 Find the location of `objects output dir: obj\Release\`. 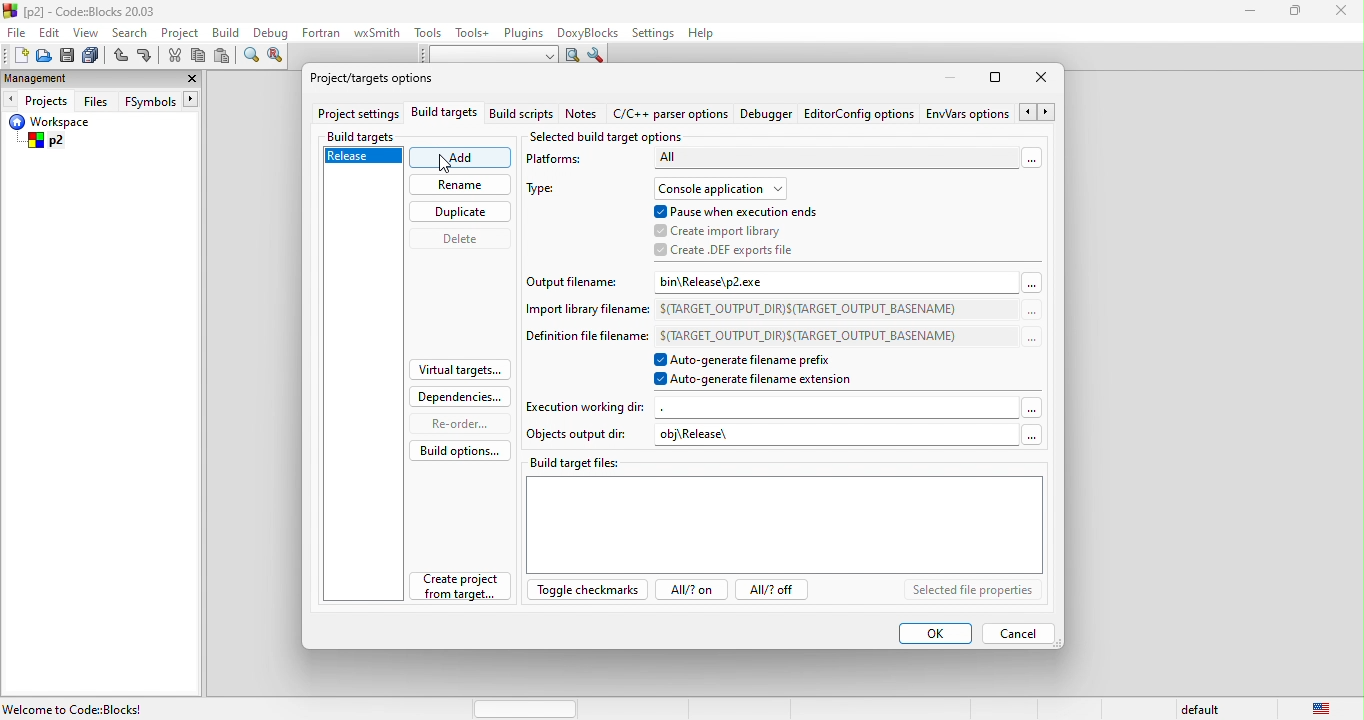

objects output dir: obj\Release\ is located at coordinates (786, 433).